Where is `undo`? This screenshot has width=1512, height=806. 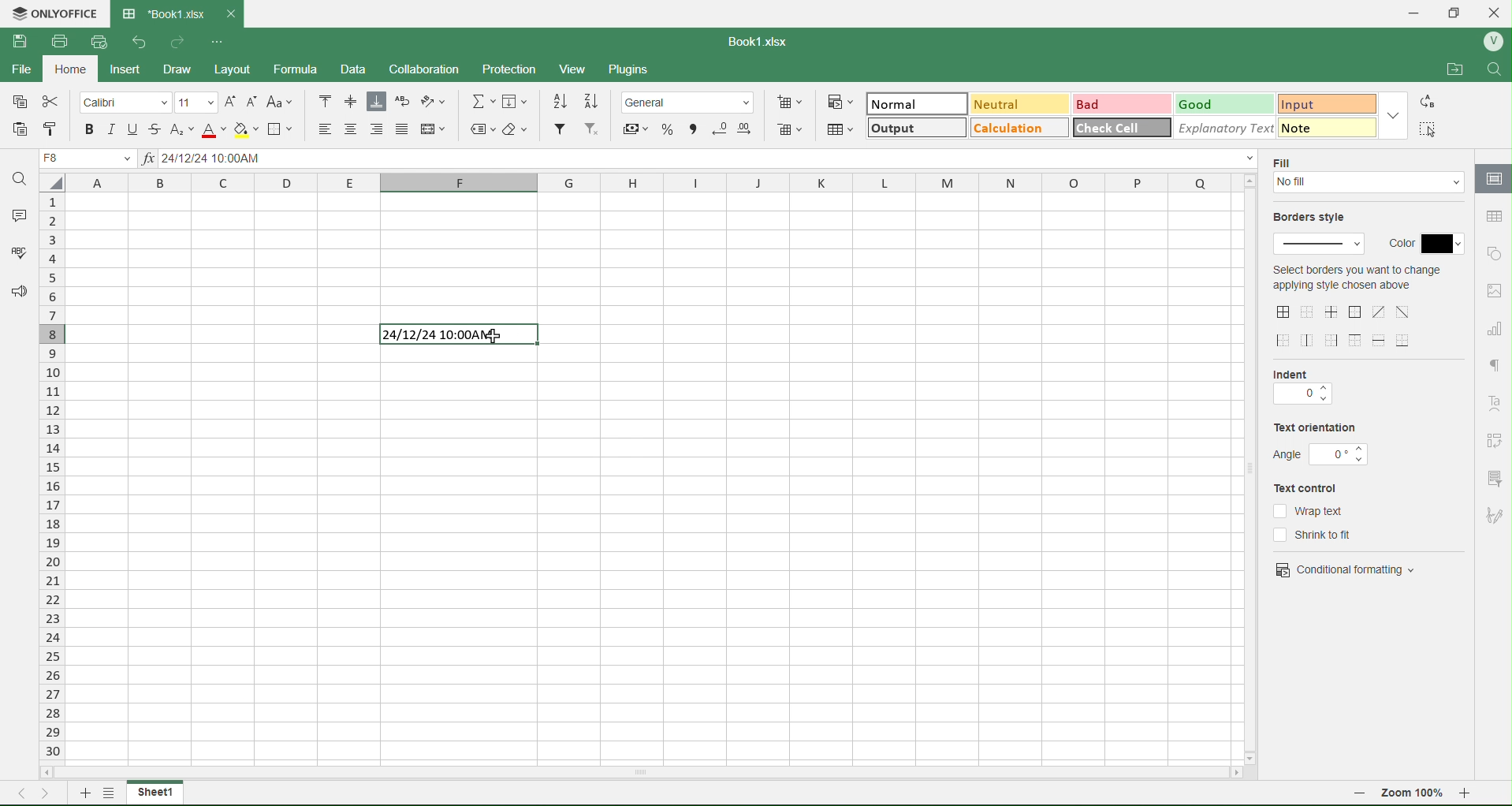
undo is located at coordinates (135, 42).